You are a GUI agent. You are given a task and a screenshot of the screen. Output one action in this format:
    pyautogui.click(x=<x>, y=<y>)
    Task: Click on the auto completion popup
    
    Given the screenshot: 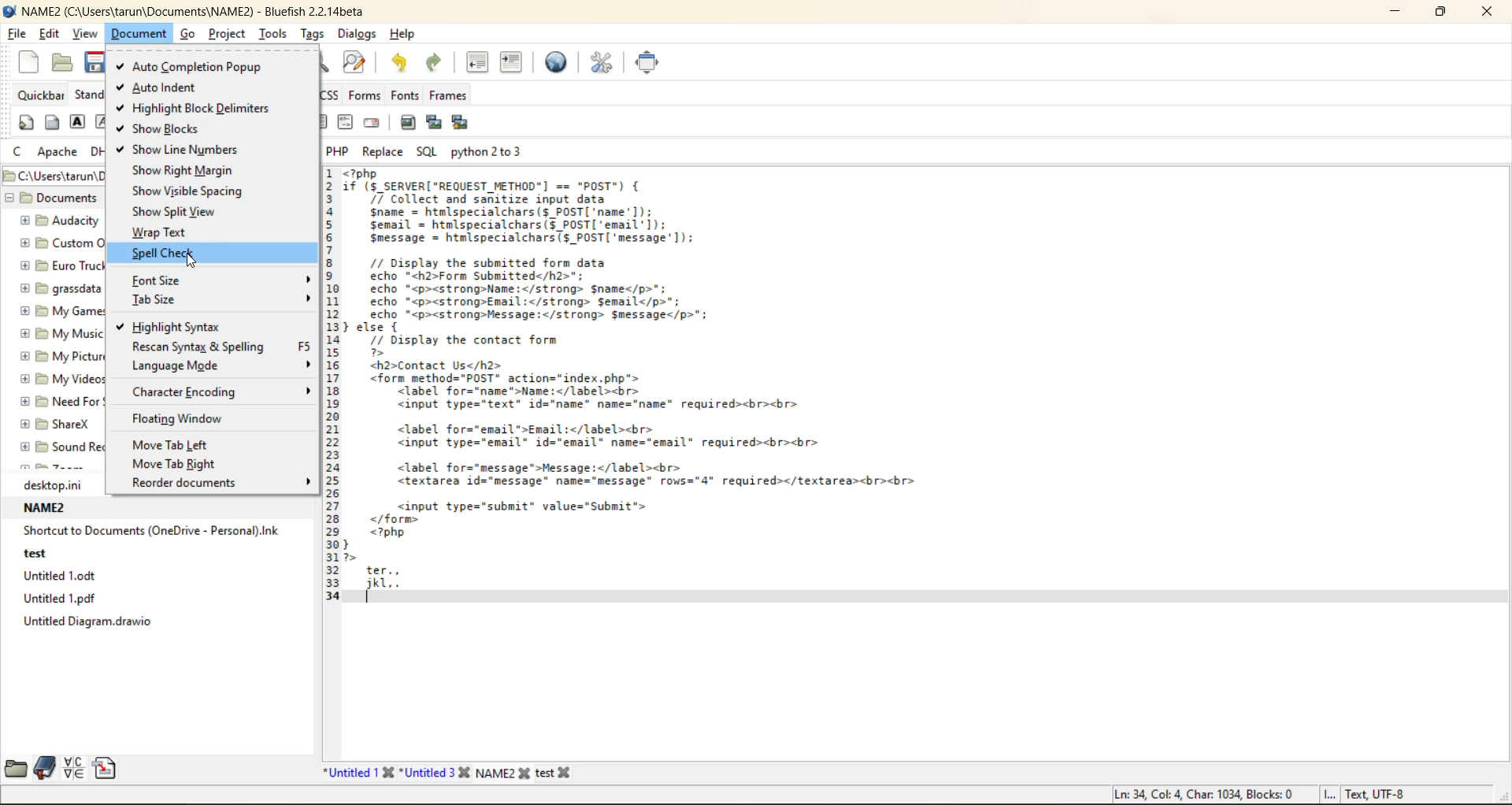 What is the action you would take?
    pyautogui.click(x=191, y=65)
    